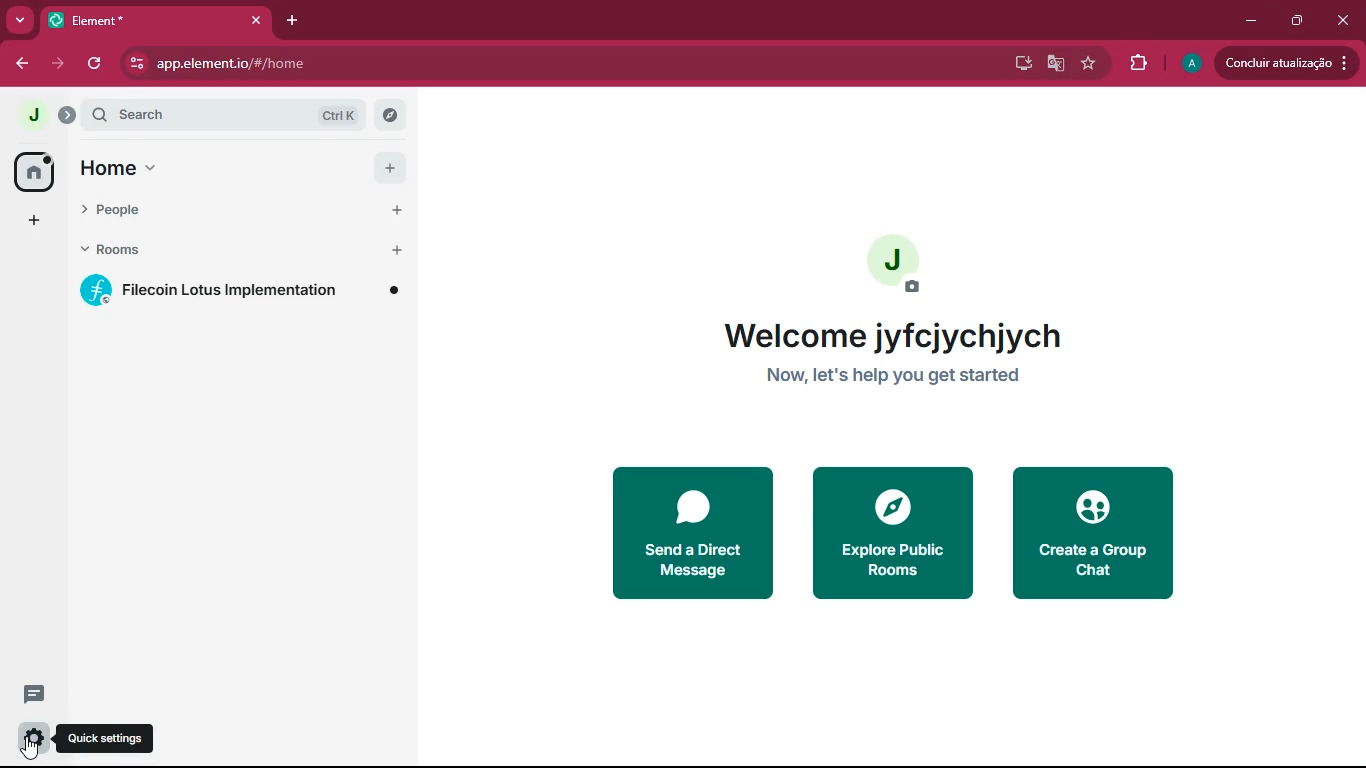 The height and width of the screenshot is (768, 1366). I want to click on add tab, so click(293, 22).